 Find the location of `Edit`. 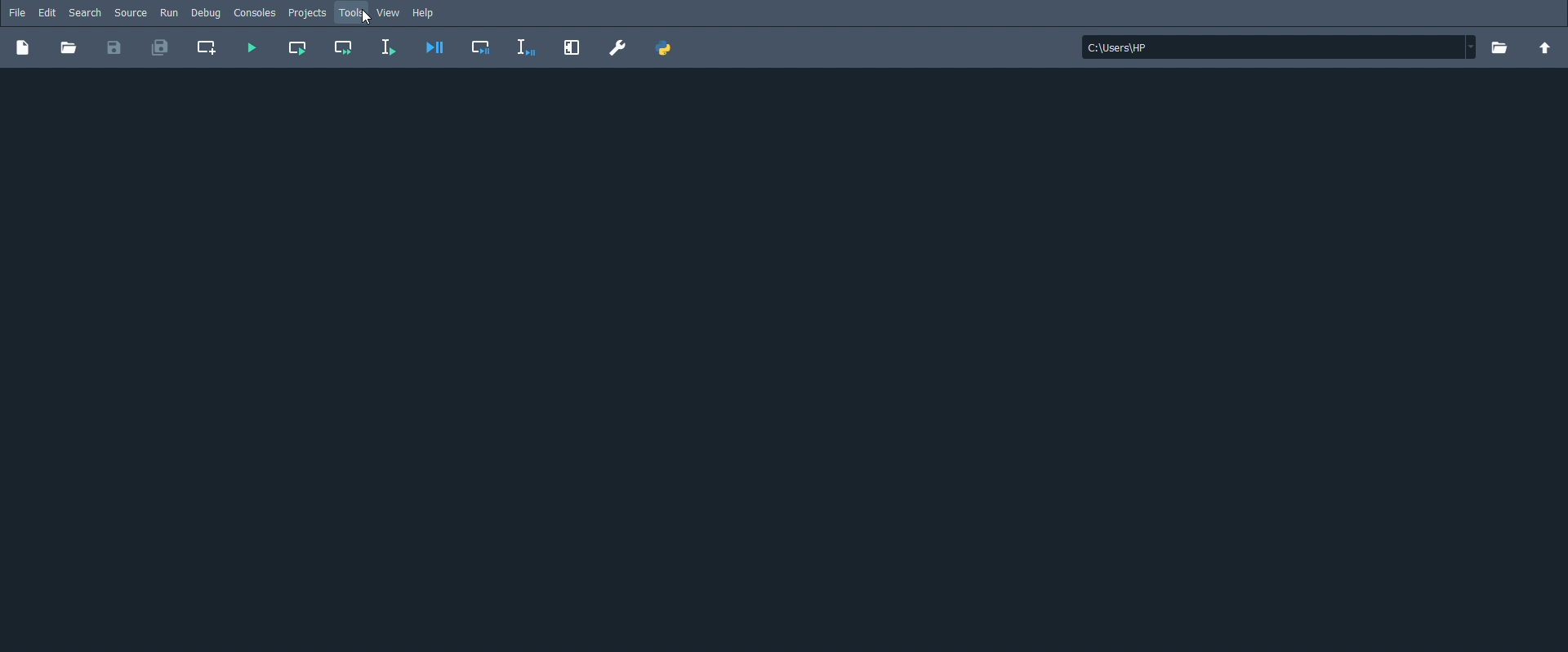

Edit is located at coordinates (47, 12).